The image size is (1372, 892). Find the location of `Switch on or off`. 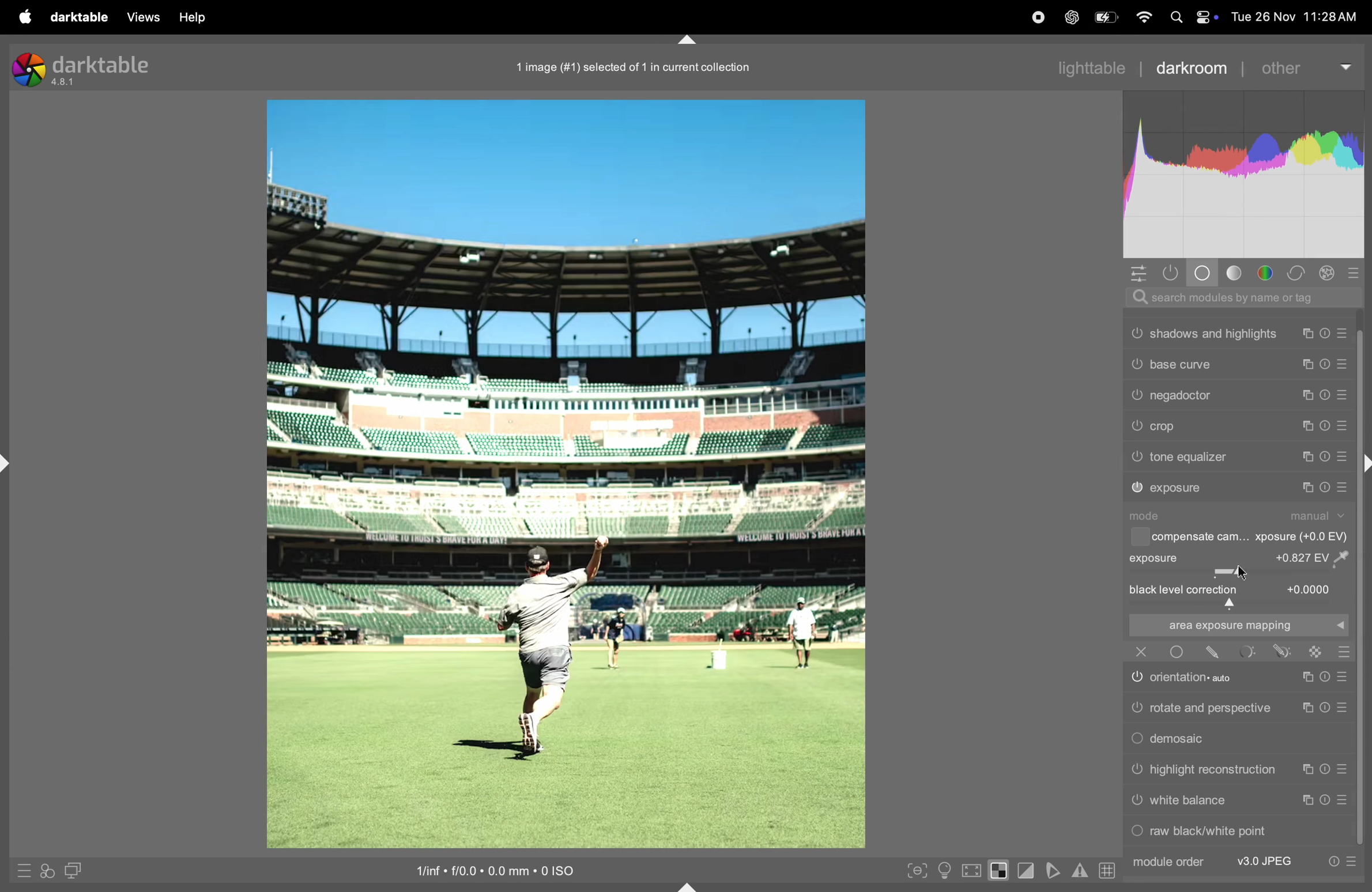

Switch on or off is located at coordinates (1136, 458).